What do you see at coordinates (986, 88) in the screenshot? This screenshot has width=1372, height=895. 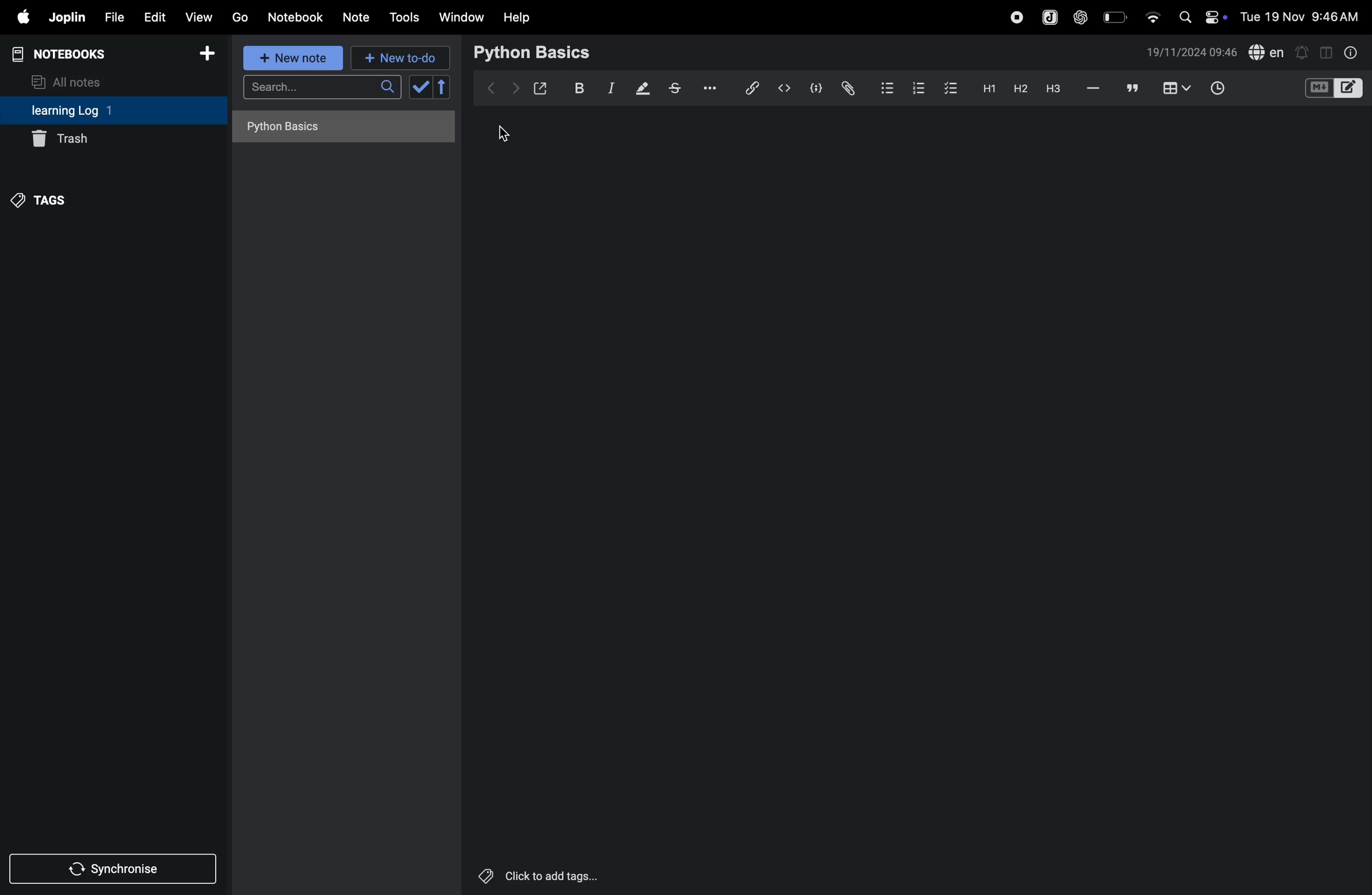 I see `h1` at bounding box center [986, 88].